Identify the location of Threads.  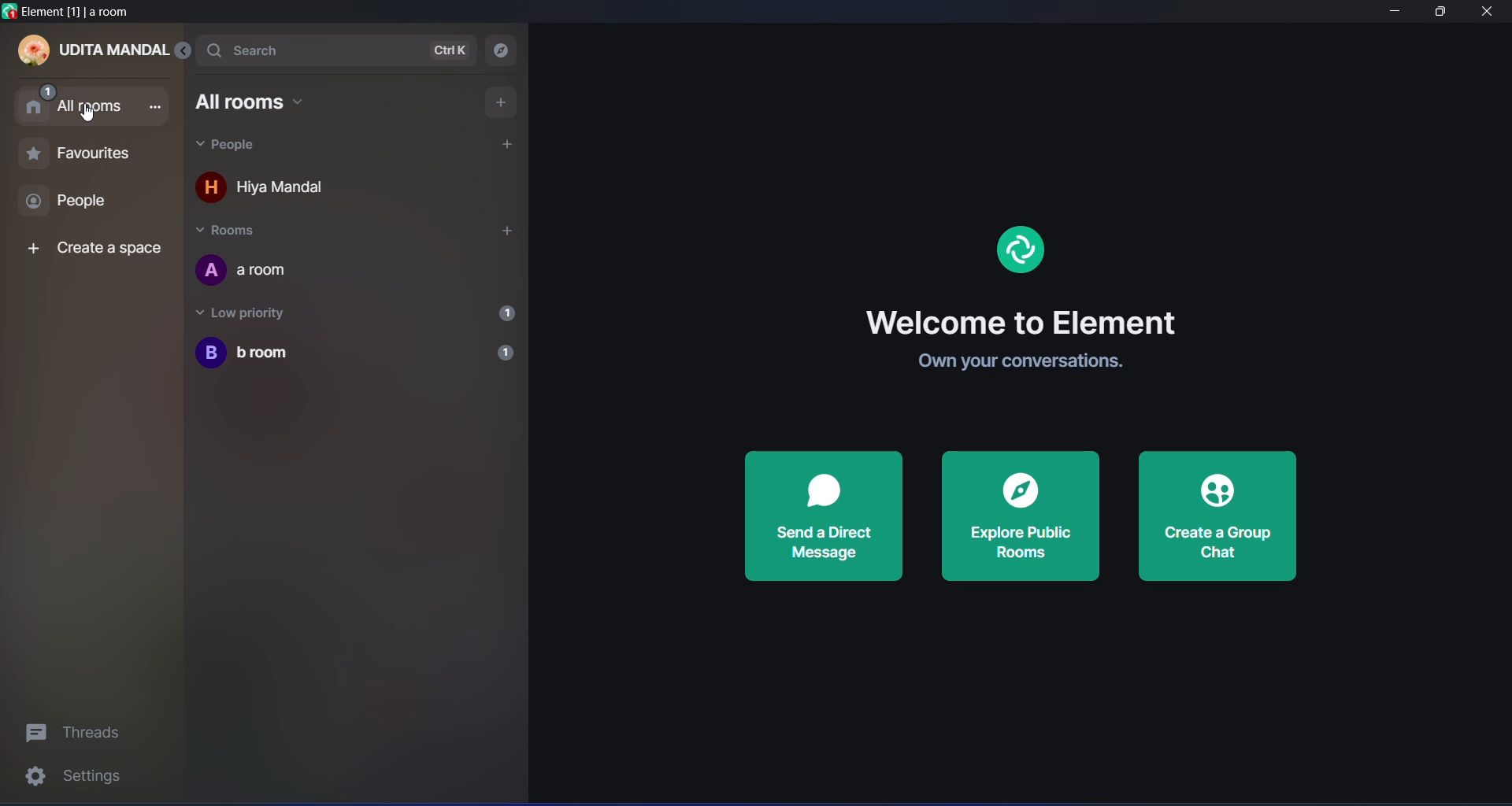
(80, 730).